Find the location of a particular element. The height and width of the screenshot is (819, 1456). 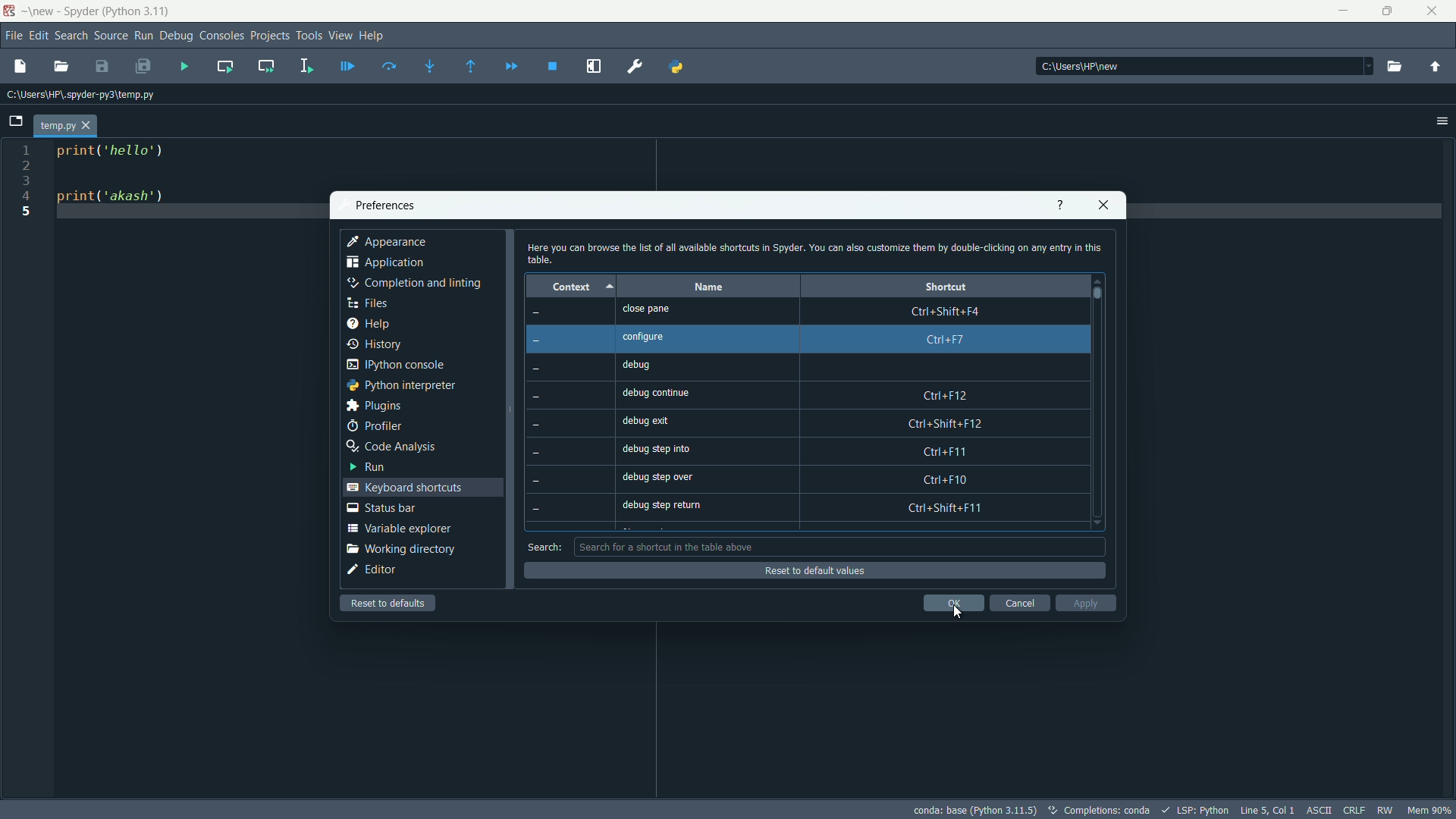

close app is located at coordinates (1436, 11).